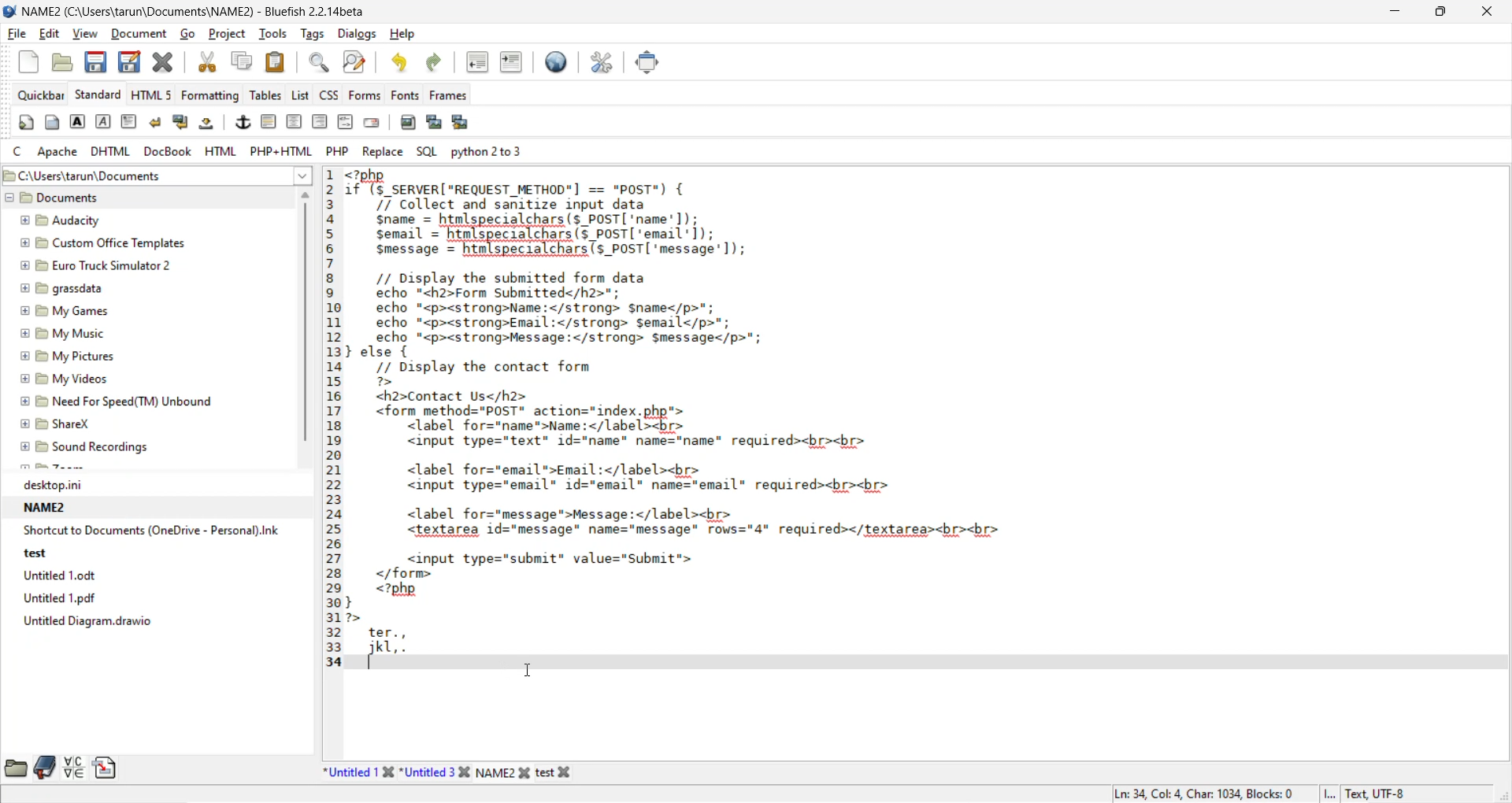 The image size is (1512, 803). Describe the element at coordinates (46, 768) in the screenshot. I see `bookmarks` at that location.